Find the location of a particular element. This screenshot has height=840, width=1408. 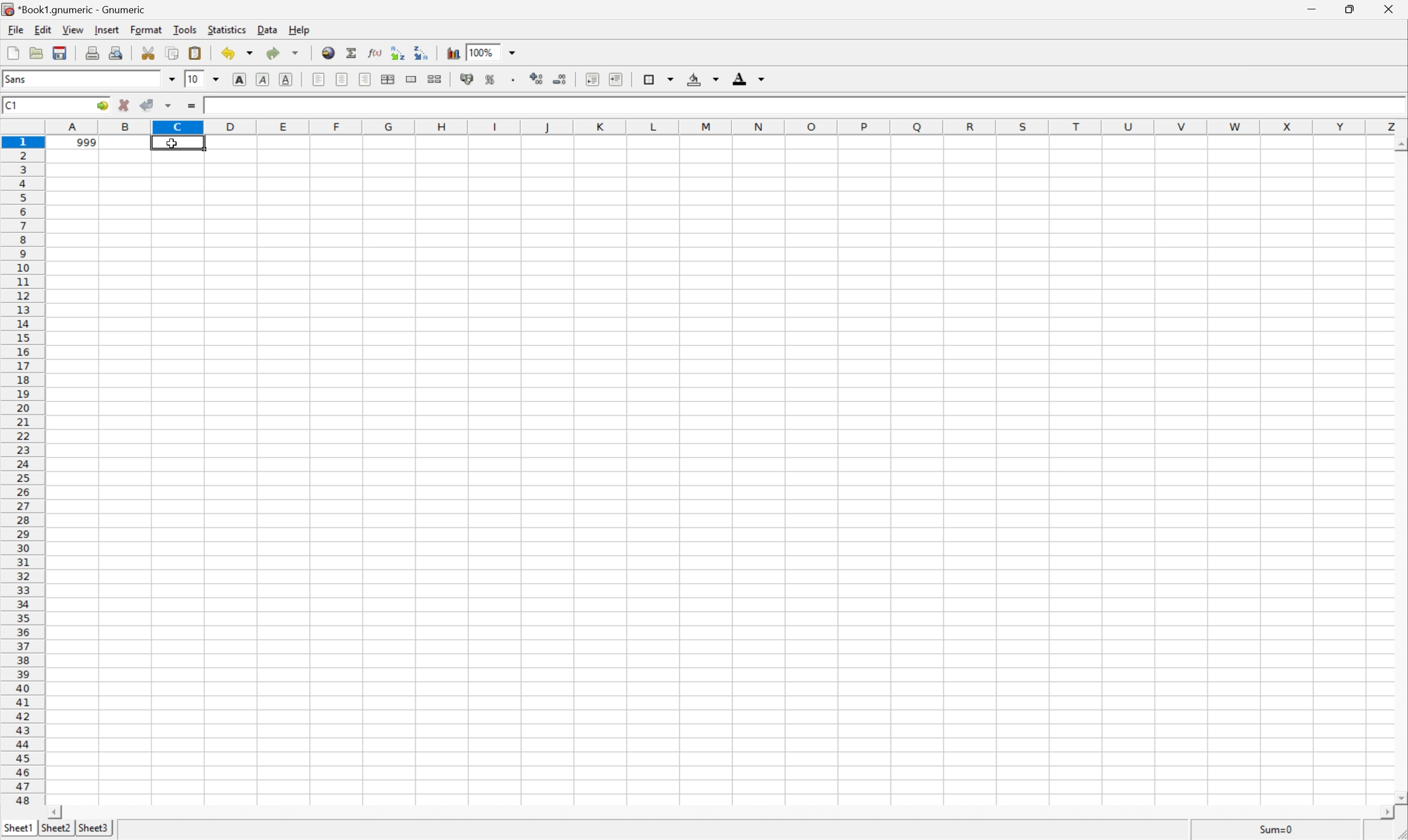

format selection as percentage is located at coordinates (491, 80).